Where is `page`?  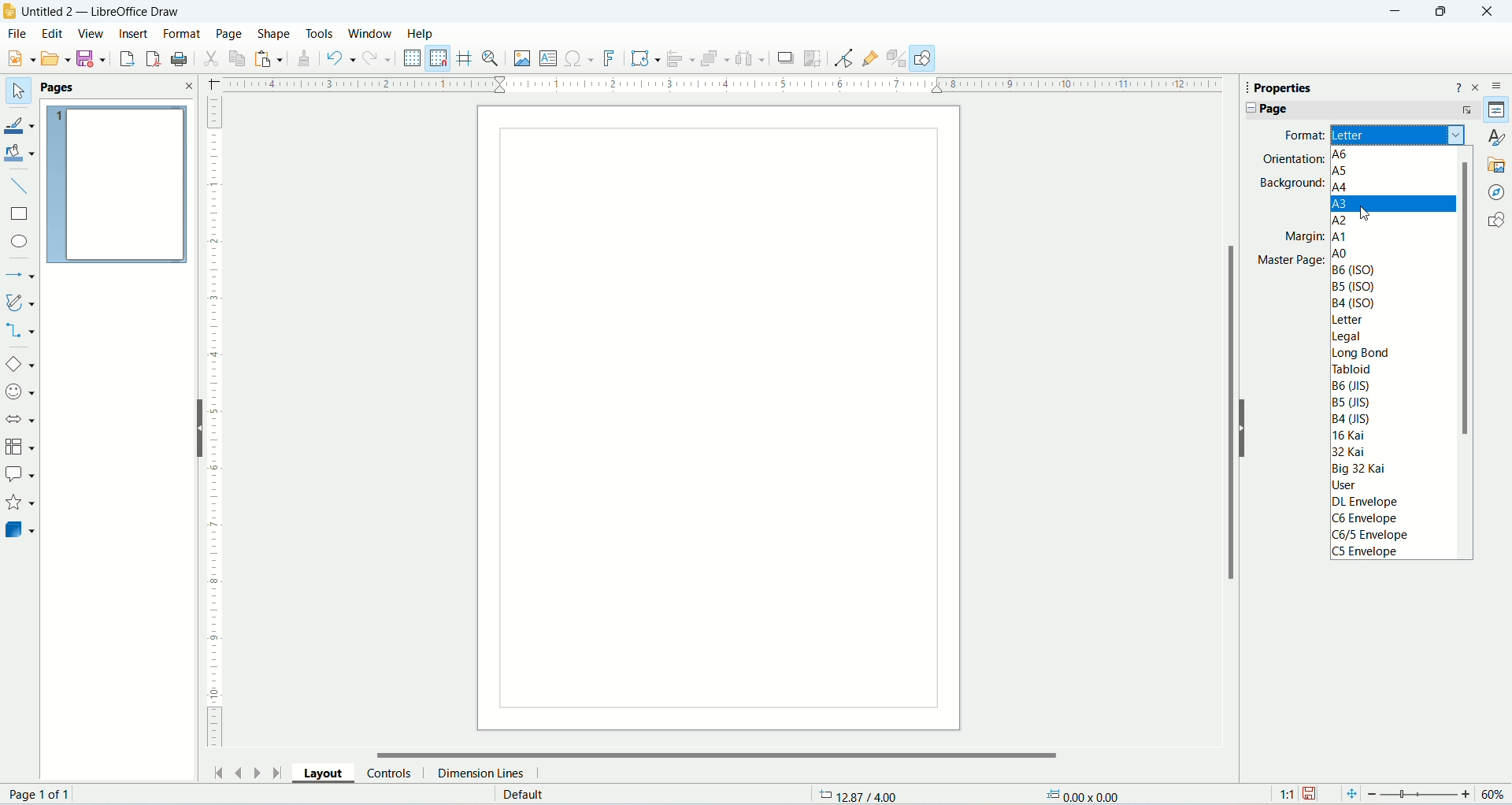
page is located at coordinates (229, 33).